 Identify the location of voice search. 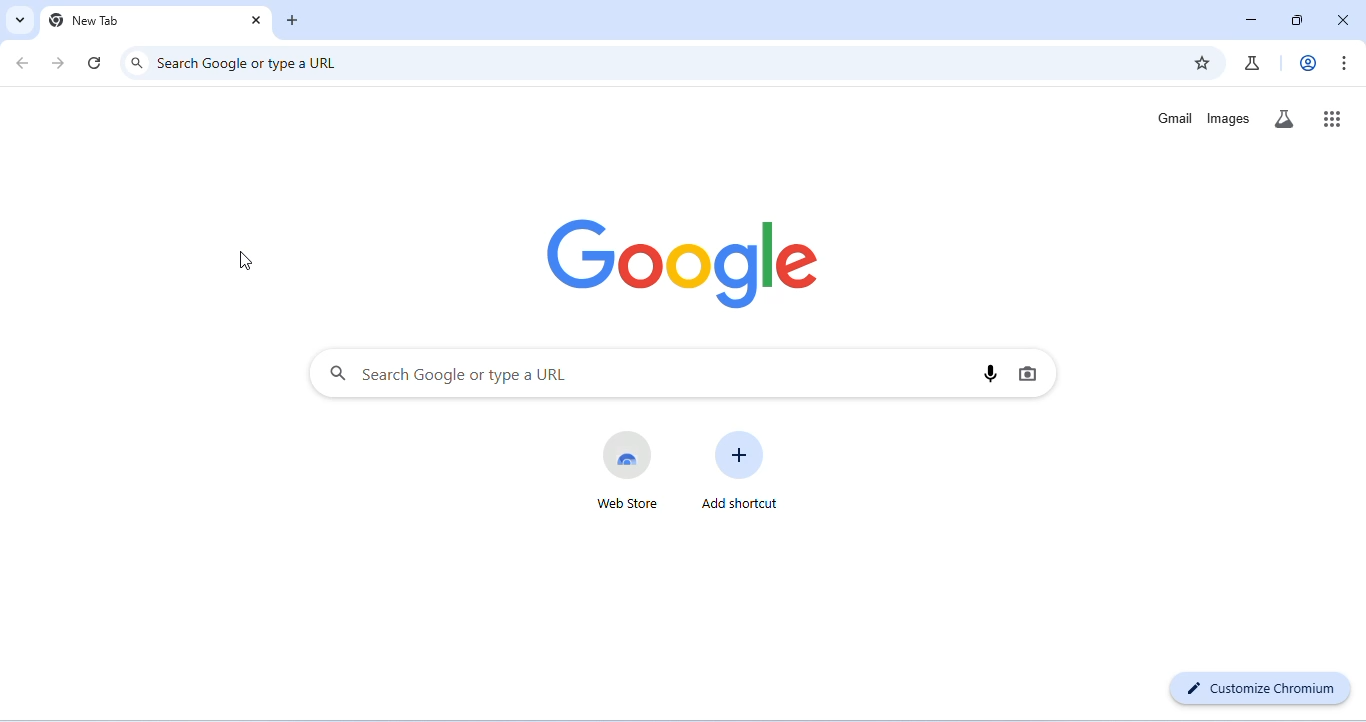
(991, 374).